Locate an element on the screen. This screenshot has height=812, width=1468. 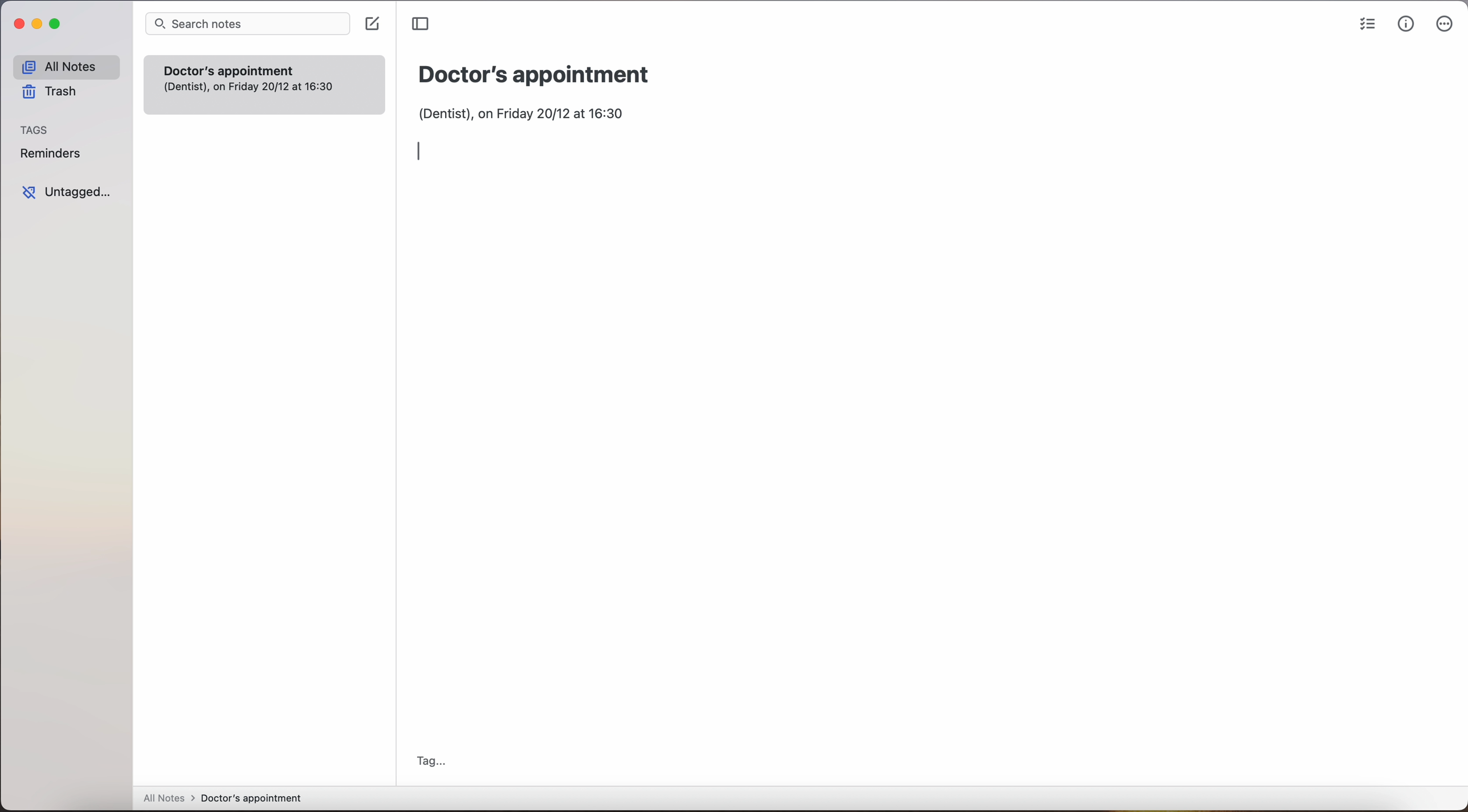
more options is located at coordinates (1444, 24).